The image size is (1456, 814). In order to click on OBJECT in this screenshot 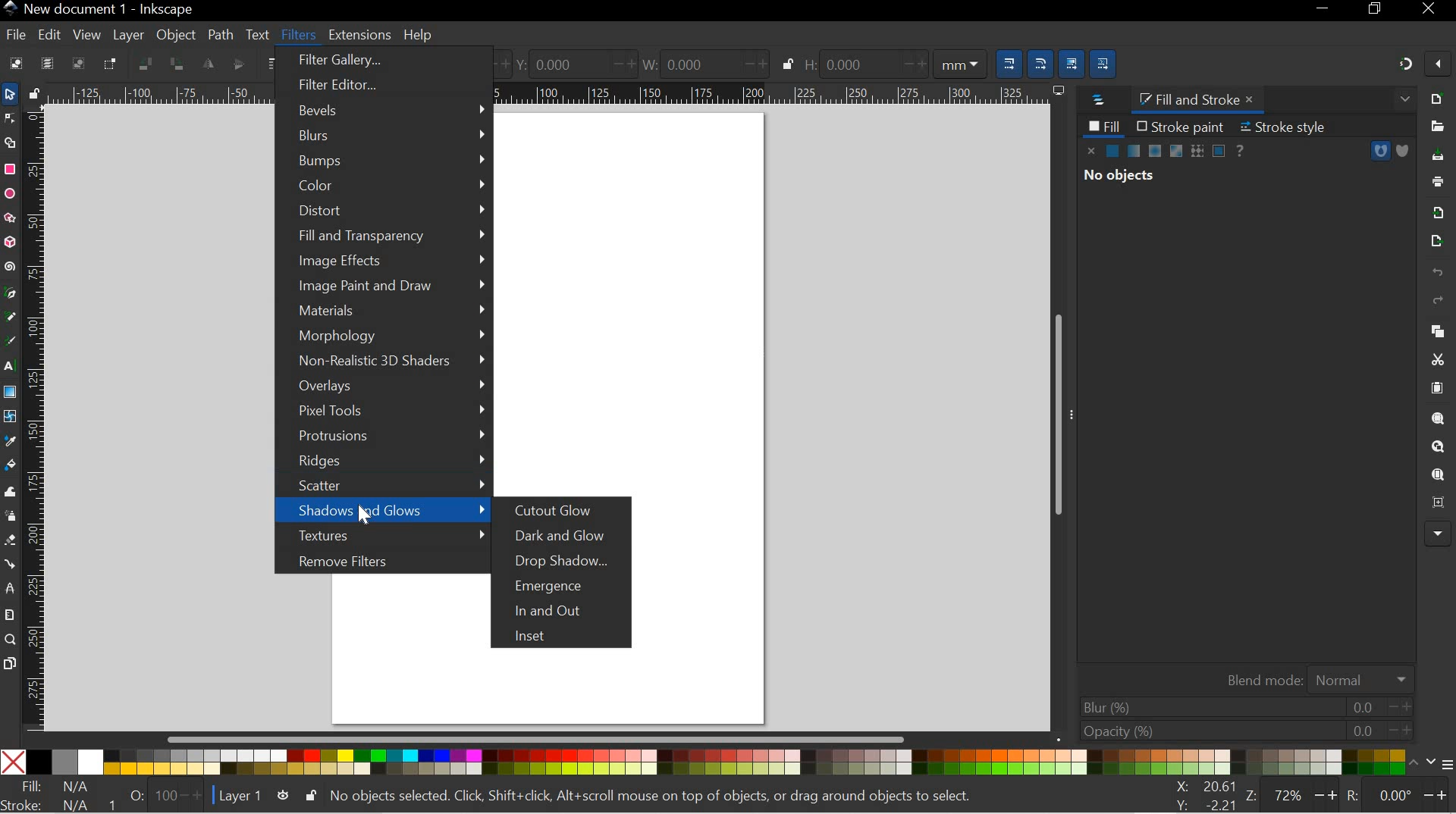, I will do `click(177, 37)`.